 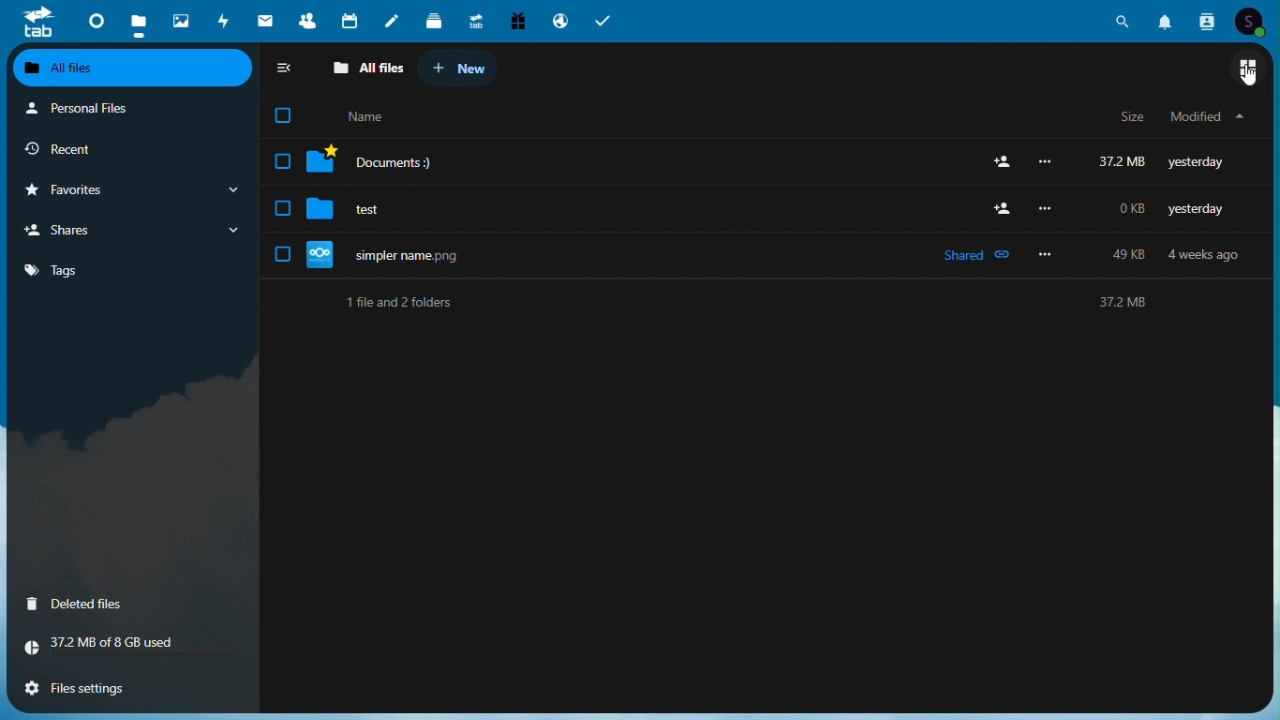 What do you see at coordinates (305, 19) in the screenshot?
I see `contacts` at bounding box center [305, 19].